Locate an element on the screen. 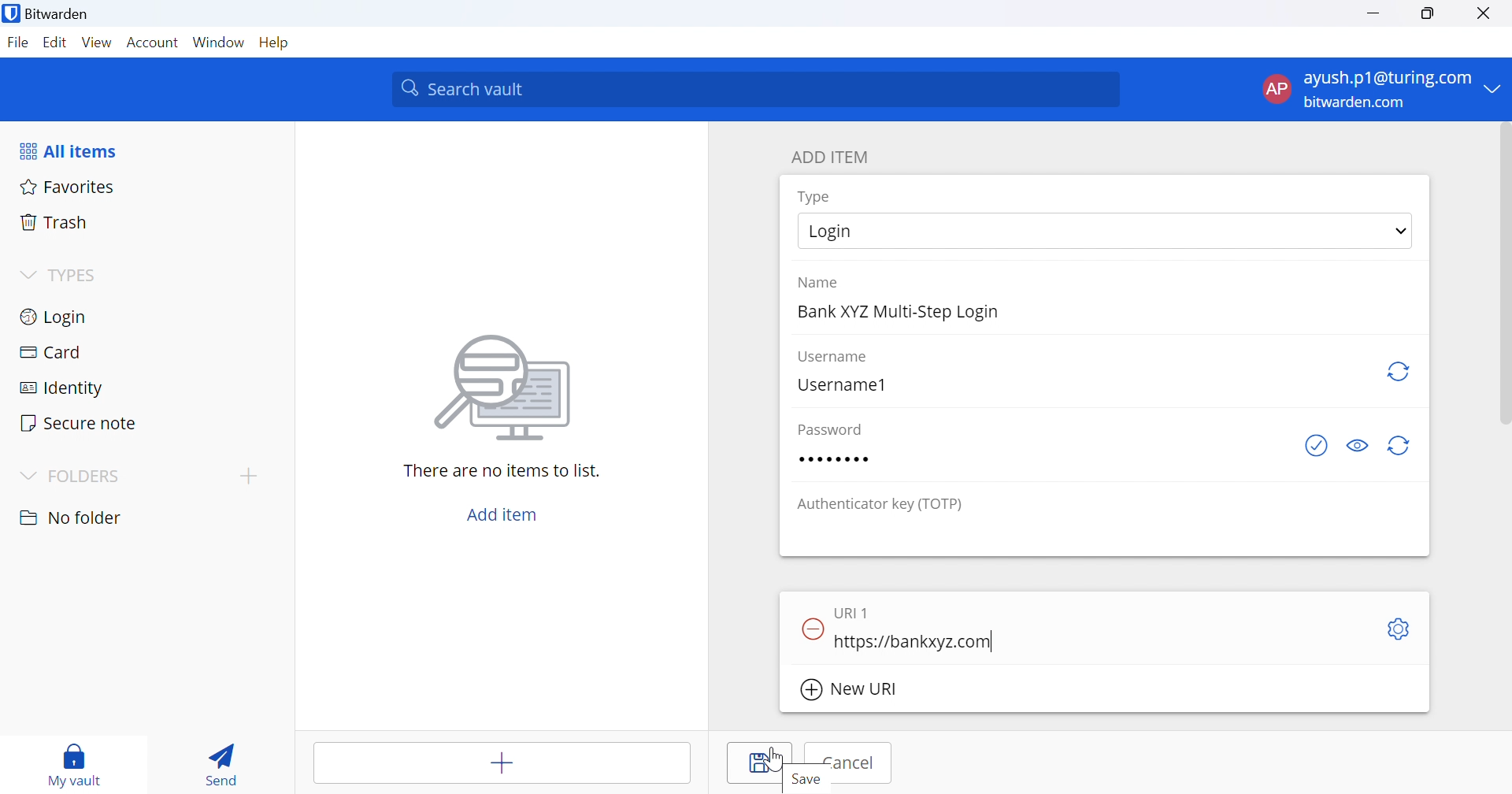 This screenshot has width=1512, height=794. Identity is located at coordinates (62, 388).